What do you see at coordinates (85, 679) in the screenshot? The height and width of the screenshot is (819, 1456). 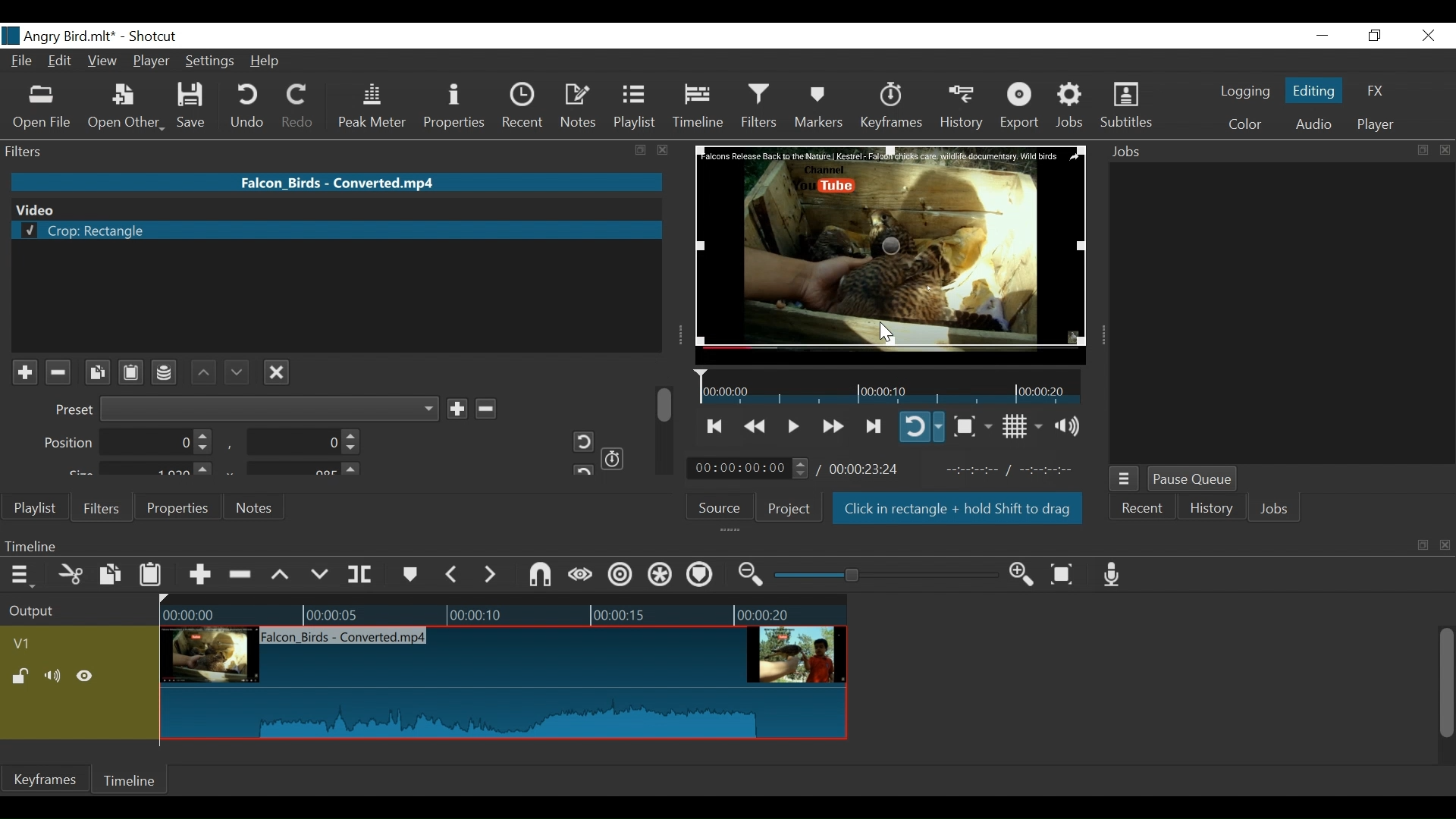 I see `Hide` at bounding box center [85, 679].